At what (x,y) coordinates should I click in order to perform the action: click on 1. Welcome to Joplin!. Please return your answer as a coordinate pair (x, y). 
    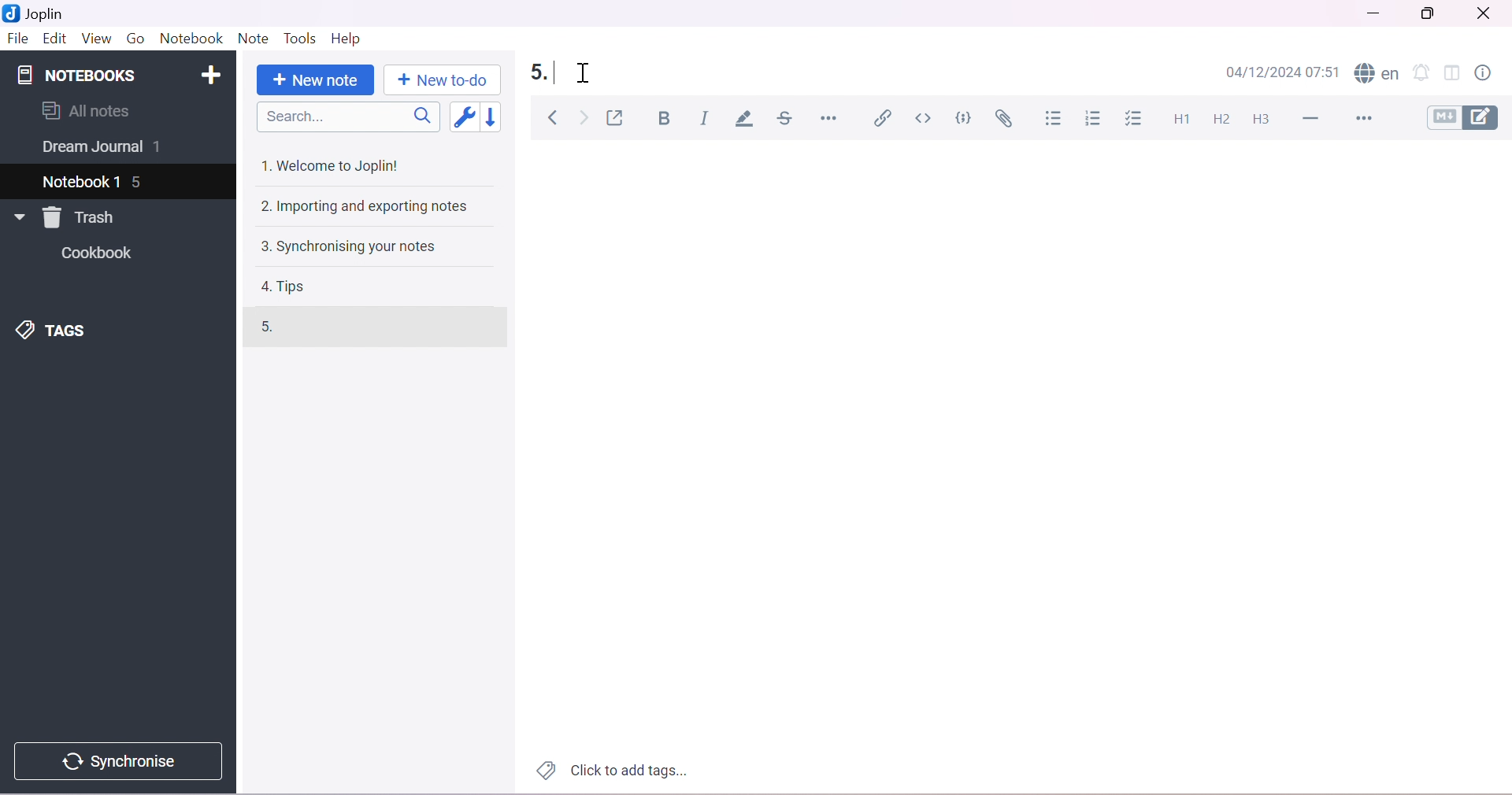
    Looking at the image, I should click on (335, 165).